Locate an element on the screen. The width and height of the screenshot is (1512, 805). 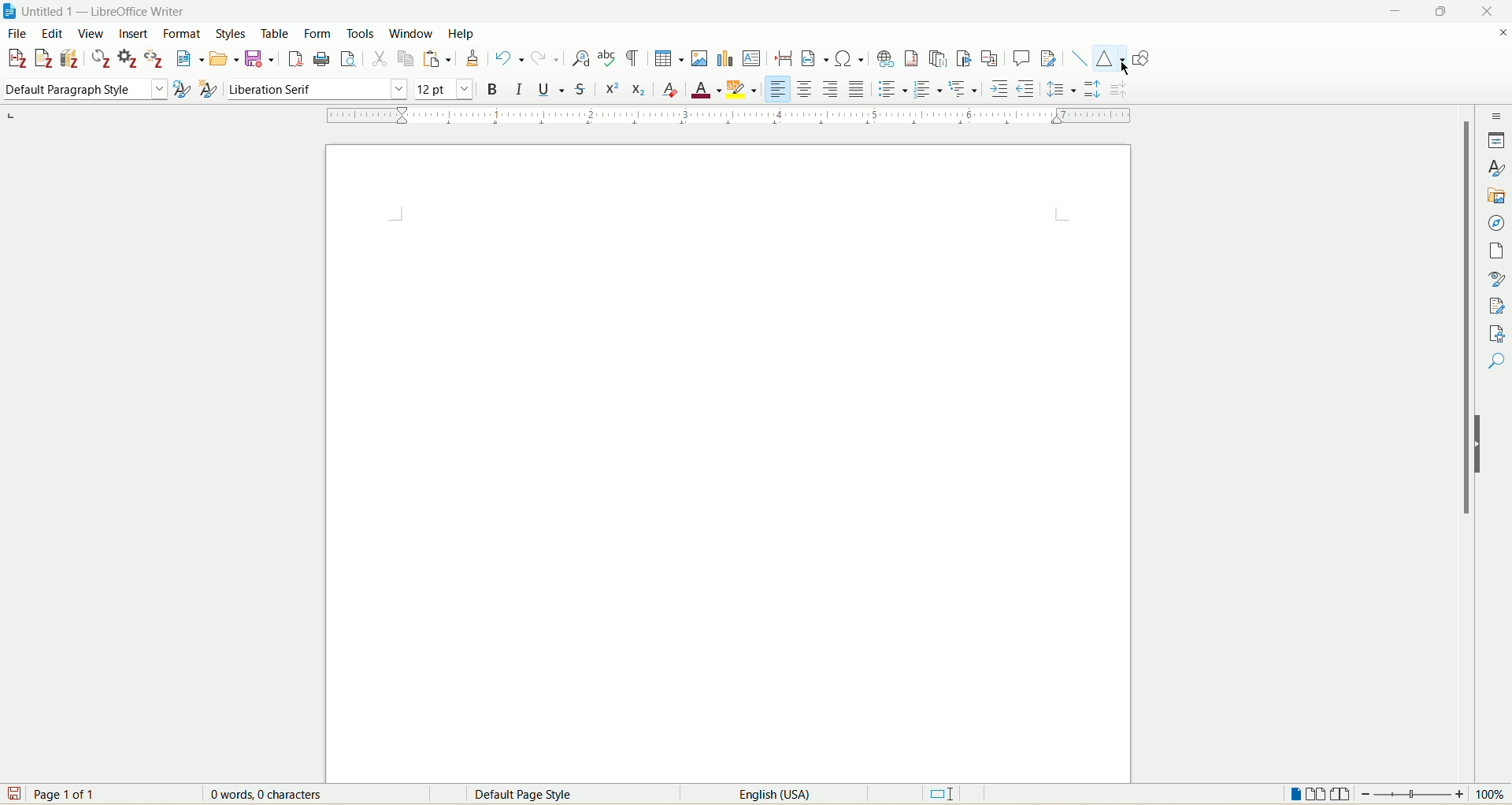
bold is located at coordinates (491, 87).